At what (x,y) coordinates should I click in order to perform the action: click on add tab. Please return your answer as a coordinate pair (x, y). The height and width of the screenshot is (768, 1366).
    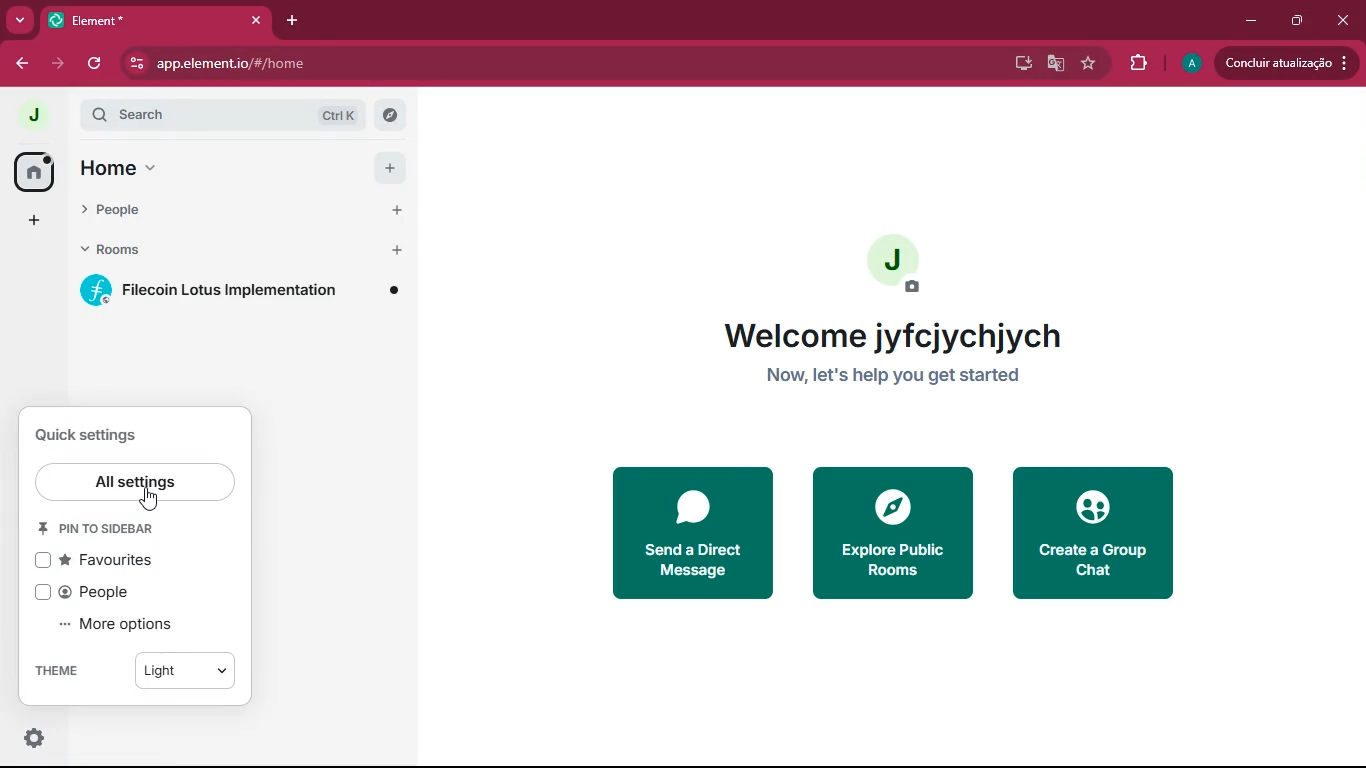
    Looking at the image, I should click on (289, 21).